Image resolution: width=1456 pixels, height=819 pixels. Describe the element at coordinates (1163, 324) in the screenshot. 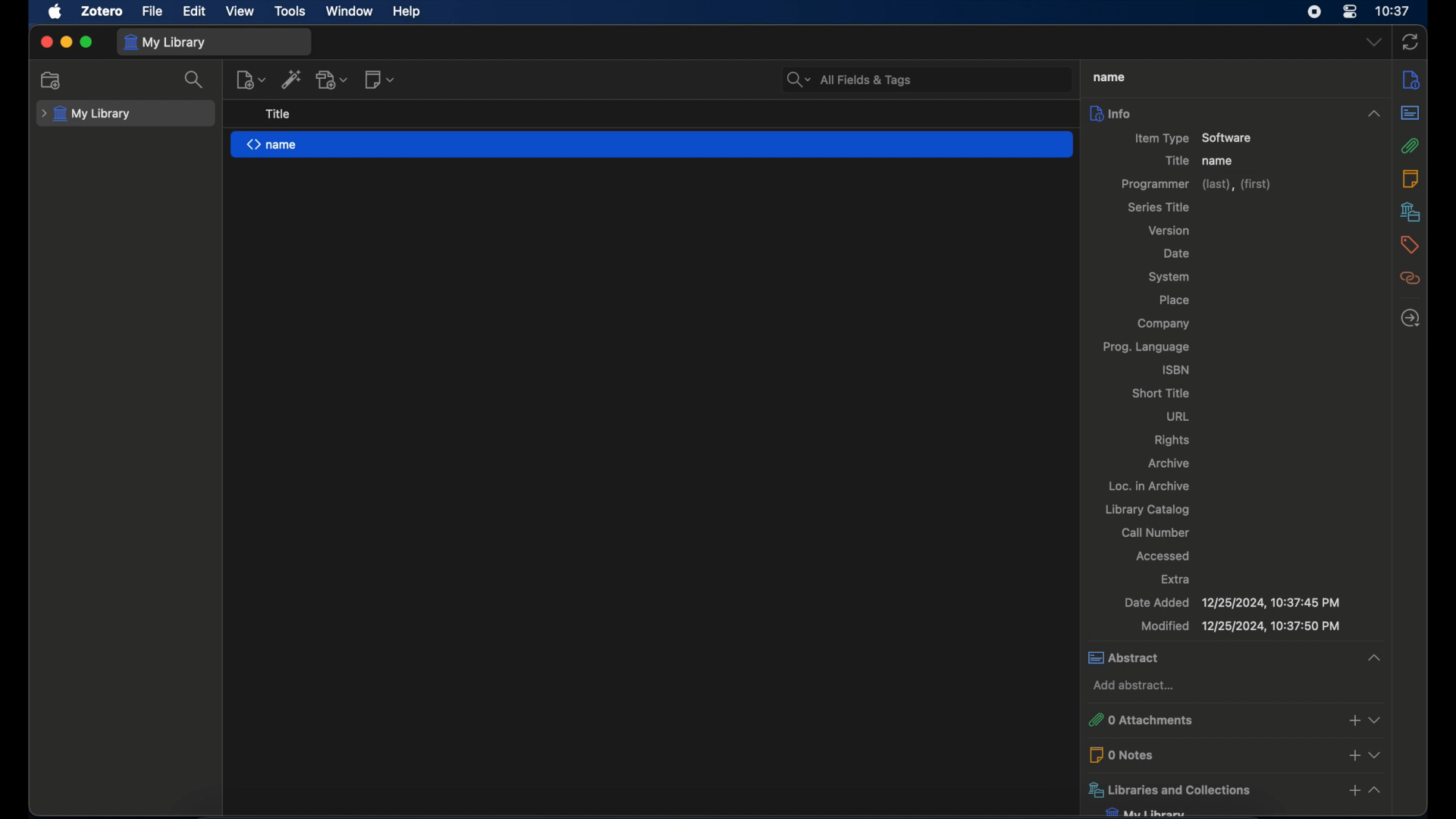

I see `company` at that location.